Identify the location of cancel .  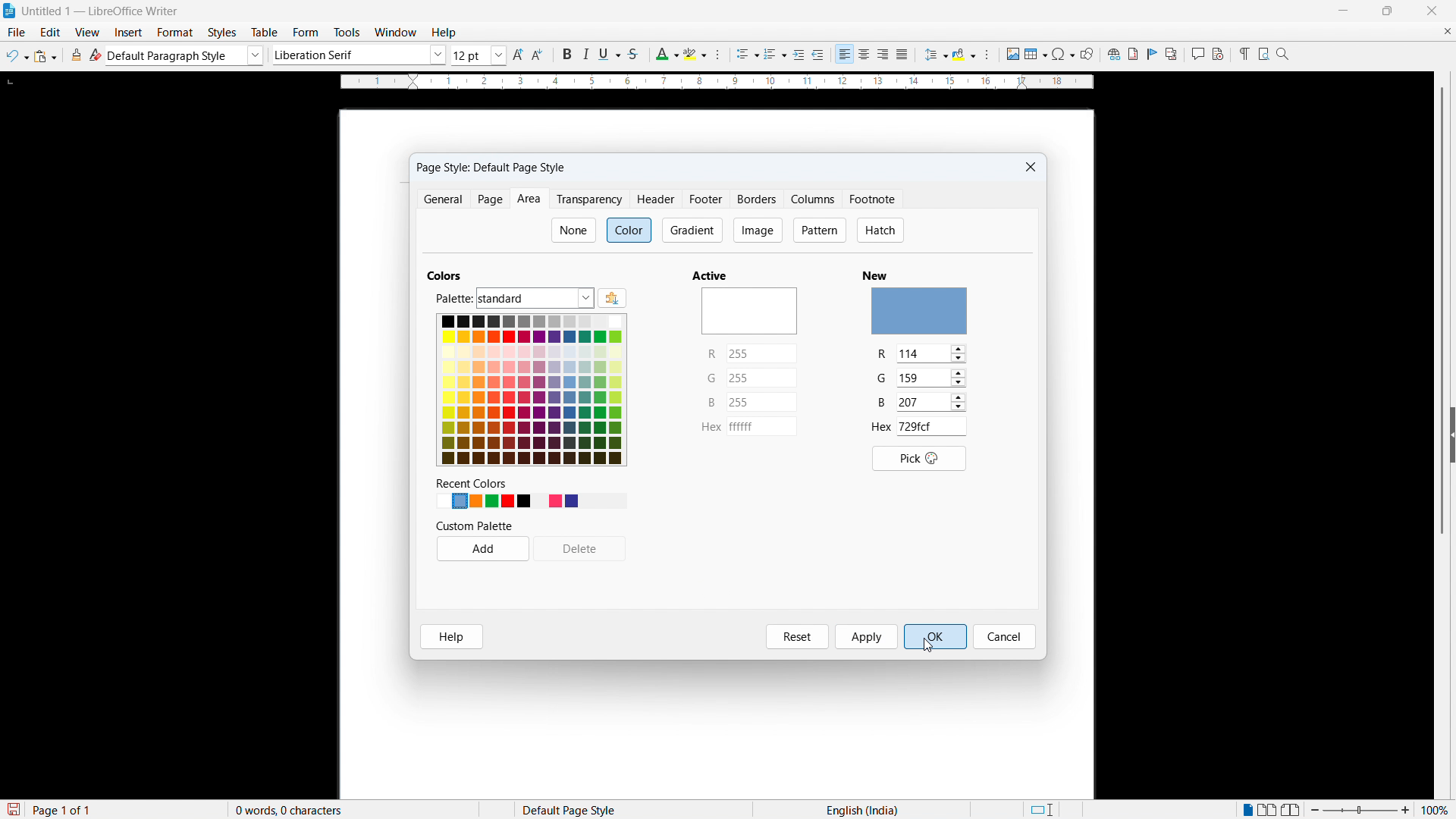
(1004, 637).